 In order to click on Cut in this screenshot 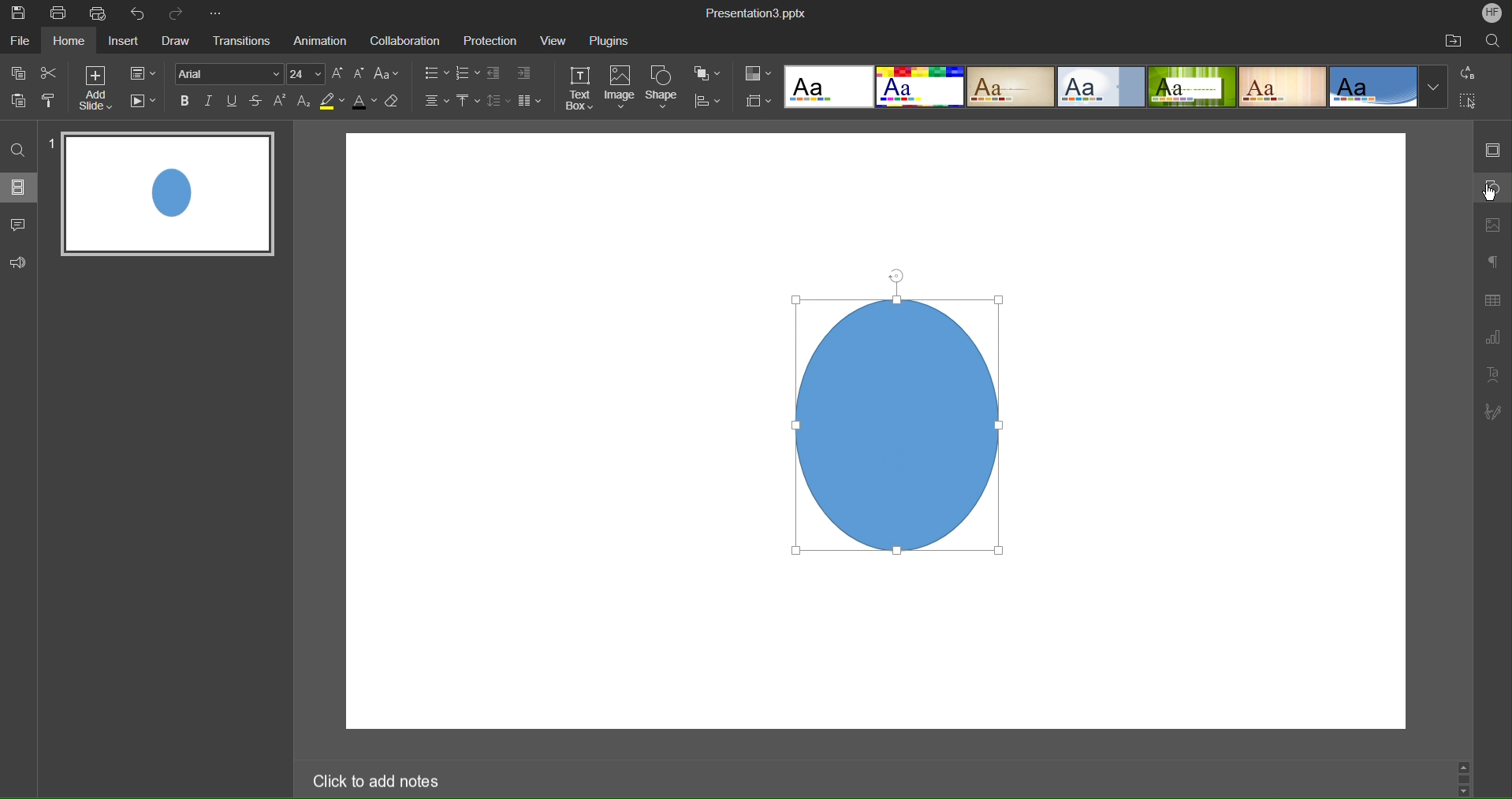, I will do `click(50, 73)`.